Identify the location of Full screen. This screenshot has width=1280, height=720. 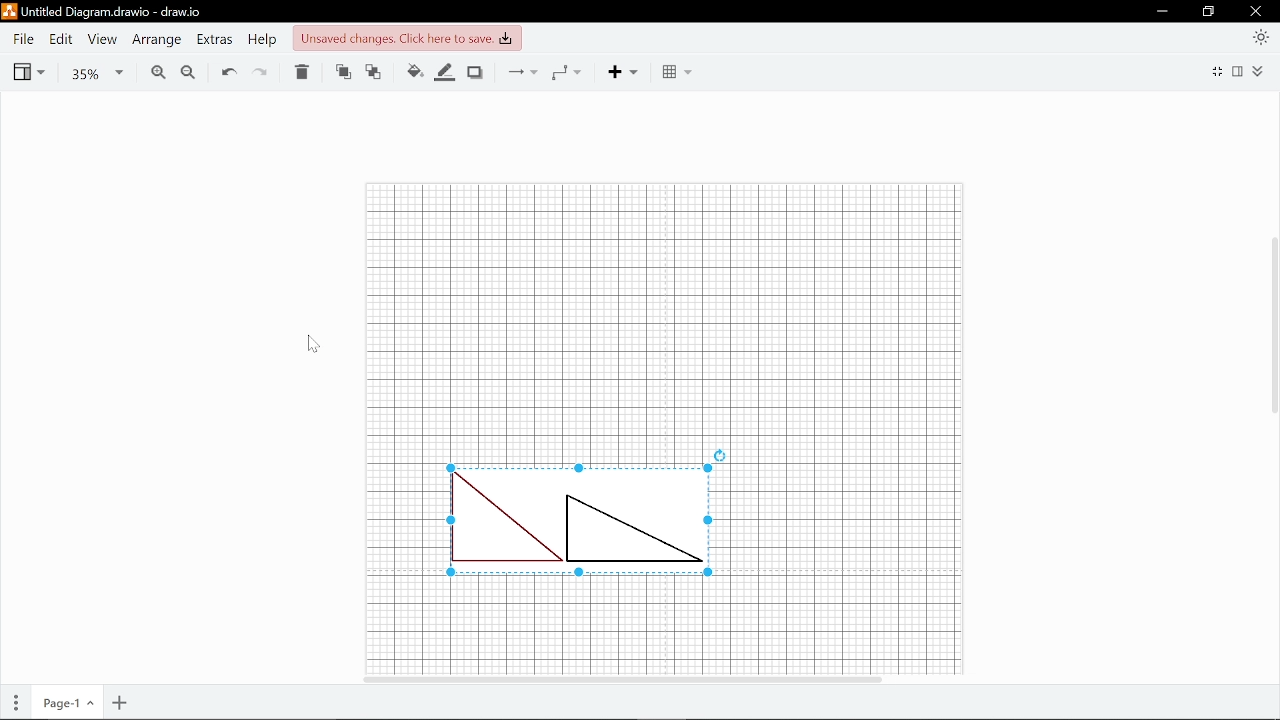
(1216, 73).